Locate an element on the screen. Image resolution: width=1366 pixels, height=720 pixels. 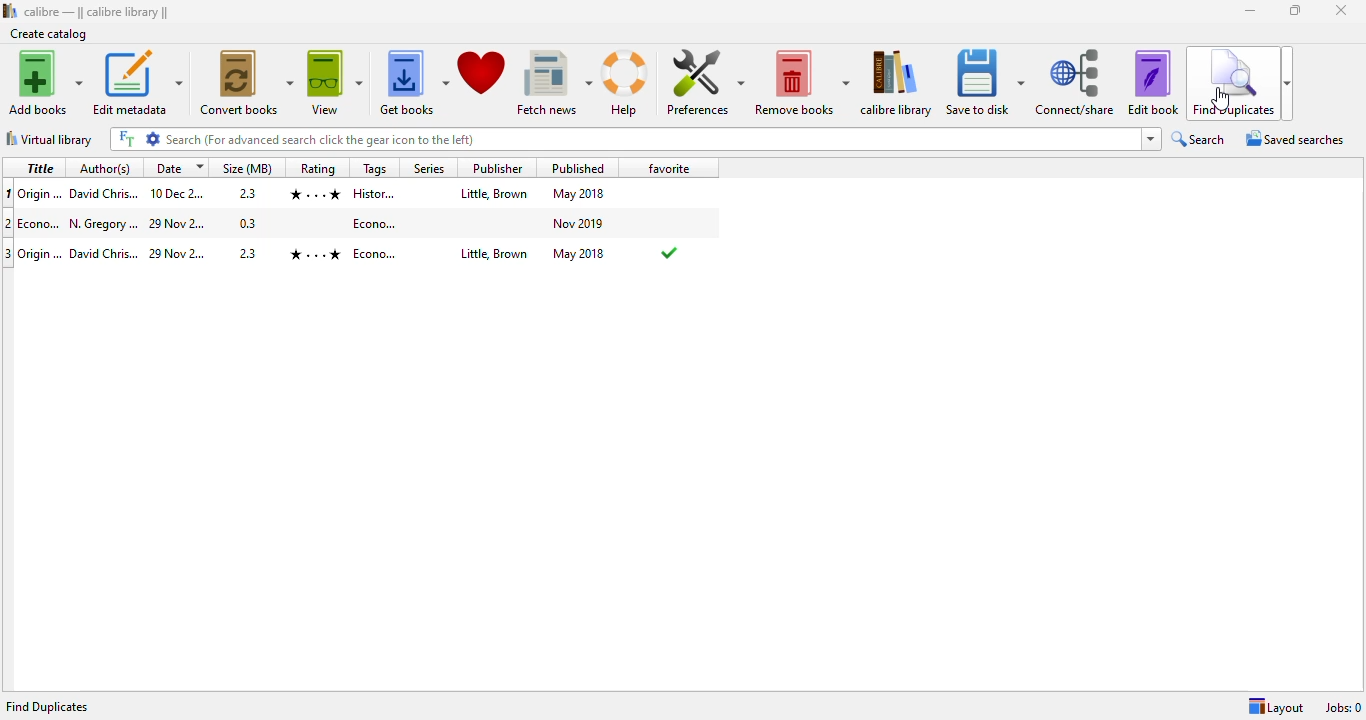
find duplicates is located at coordinates (48, 706).